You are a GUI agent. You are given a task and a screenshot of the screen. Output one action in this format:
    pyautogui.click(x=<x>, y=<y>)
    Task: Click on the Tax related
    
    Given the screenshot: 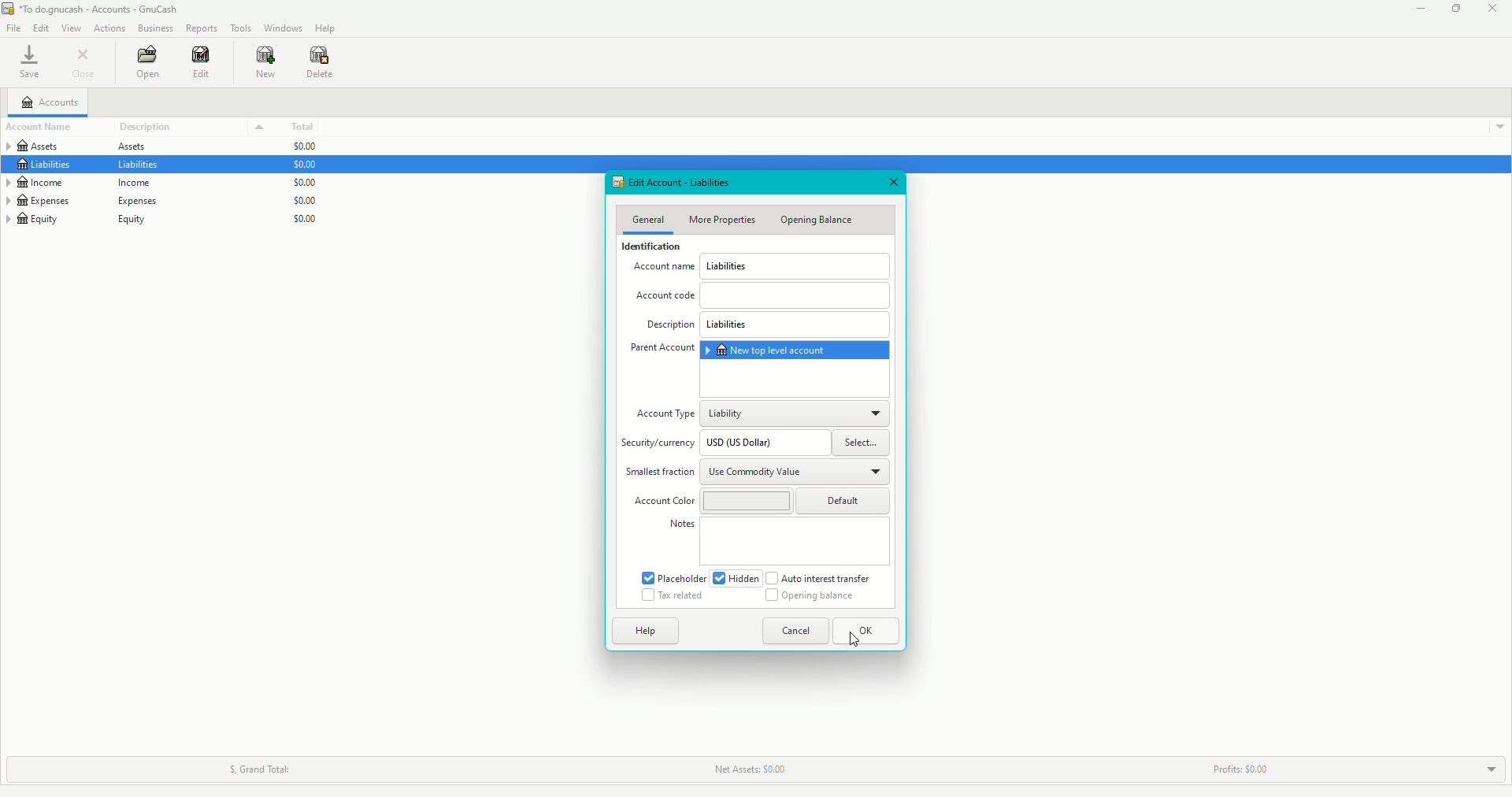 What is the action you would take?
    pyautogui.click(x=674, y=595)
    